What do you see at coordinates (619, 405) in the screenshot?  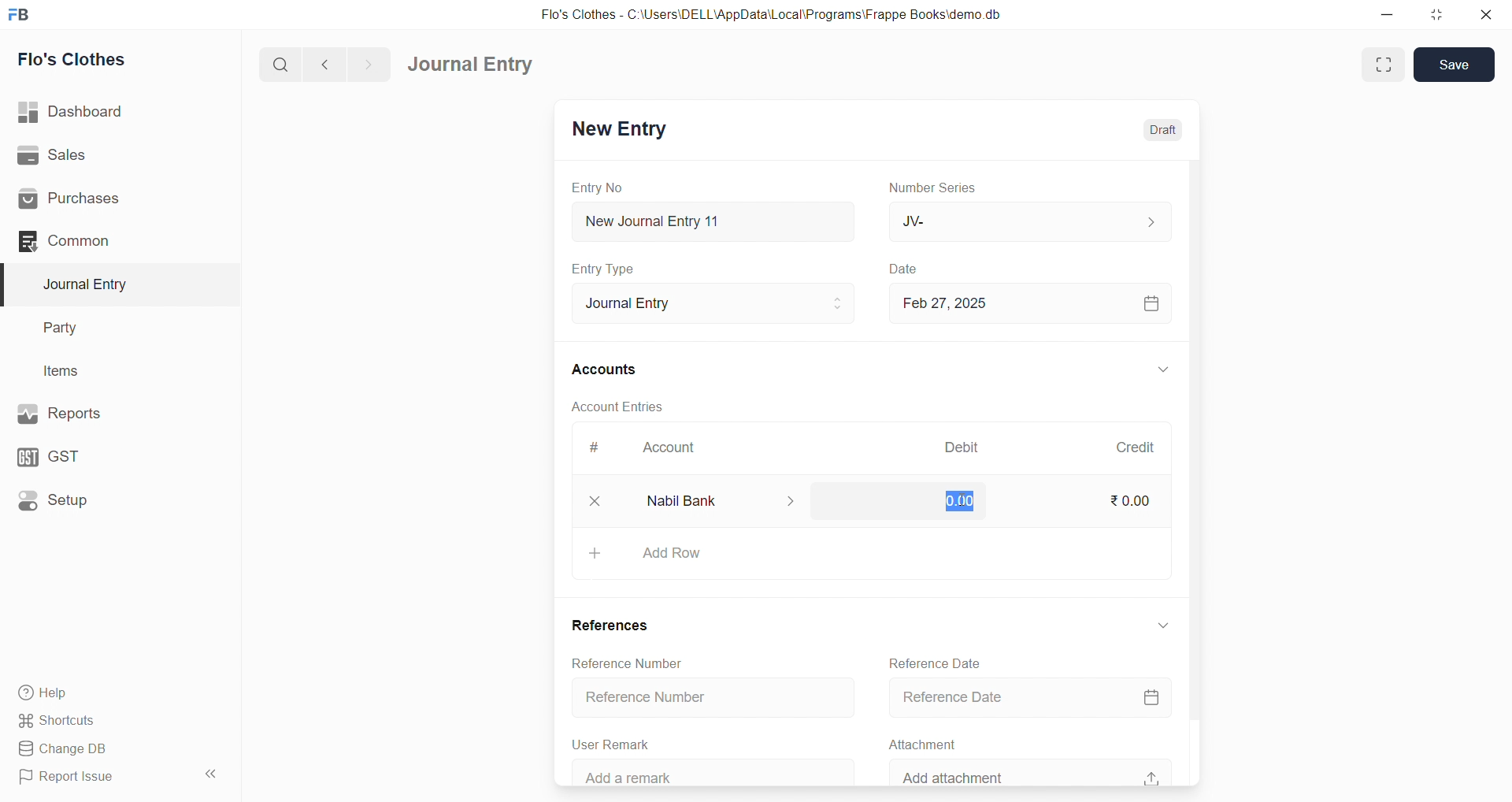 I see `Account Entries` at bounding box center [619, 405].